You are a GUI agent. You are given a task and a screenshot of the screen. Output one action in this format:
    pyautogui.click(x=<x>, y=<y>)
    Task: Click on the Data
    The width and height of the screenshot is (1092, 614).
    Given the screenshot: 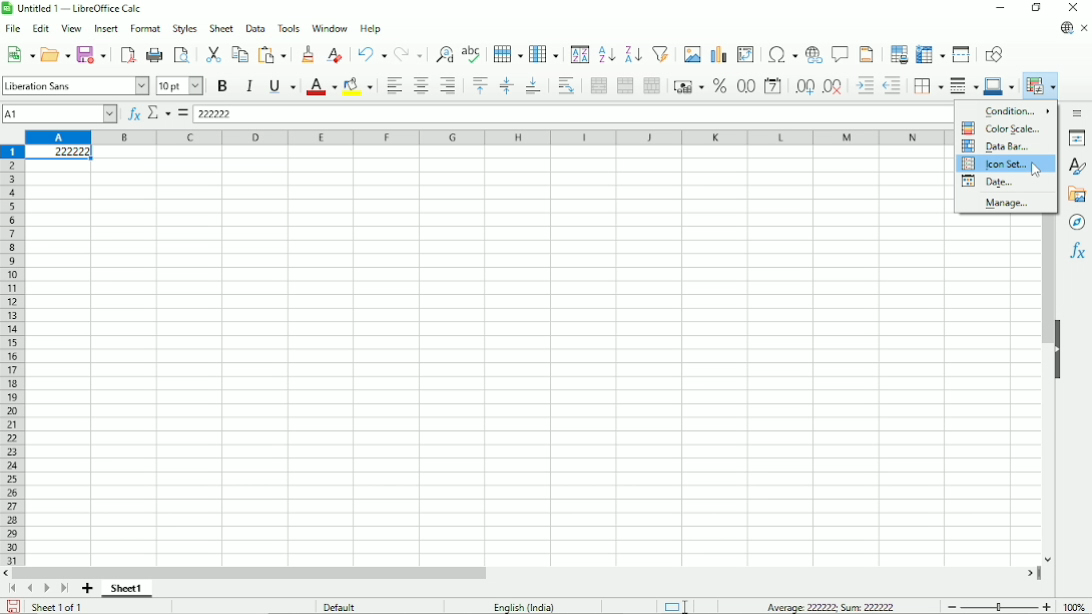 What is the action you would take?
    pyautogui.click(x=253, y=27)
    